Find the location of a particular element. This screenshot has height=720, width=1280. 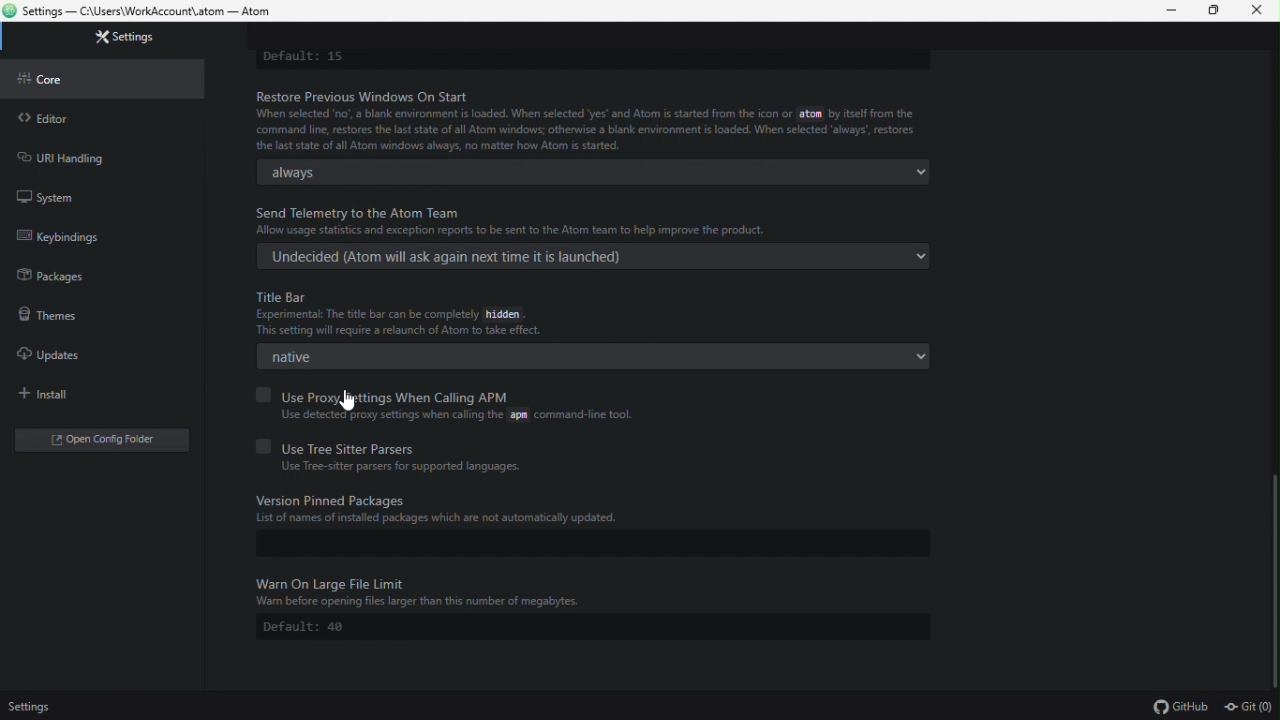

Default: 40 is located at coordinates (593, 627).